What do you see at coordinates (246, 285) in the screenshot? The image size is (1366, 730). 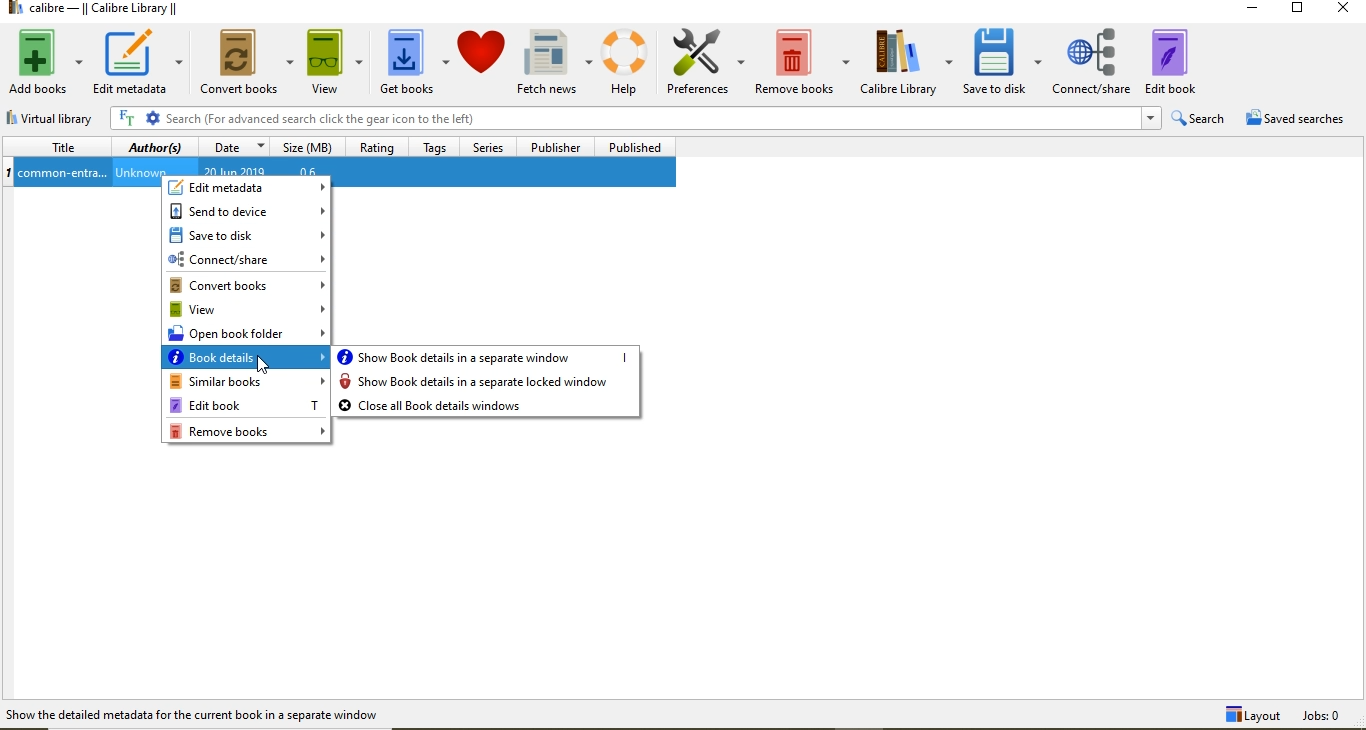 I see `convert books` at bounding box center [246, 285].